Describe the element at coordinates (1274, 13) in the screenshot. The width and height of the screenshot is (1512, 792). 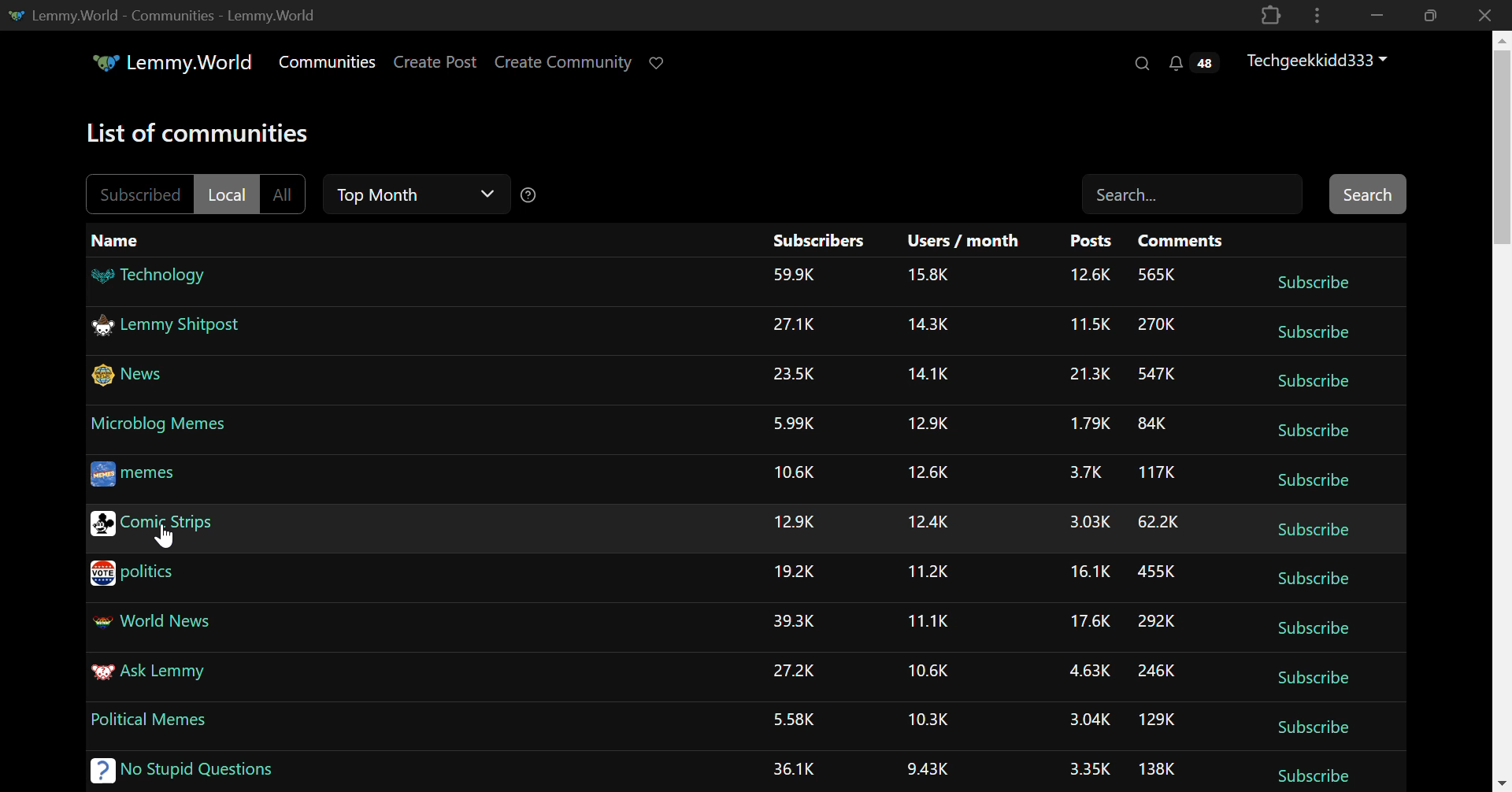
I see `Application Extension` at that location.